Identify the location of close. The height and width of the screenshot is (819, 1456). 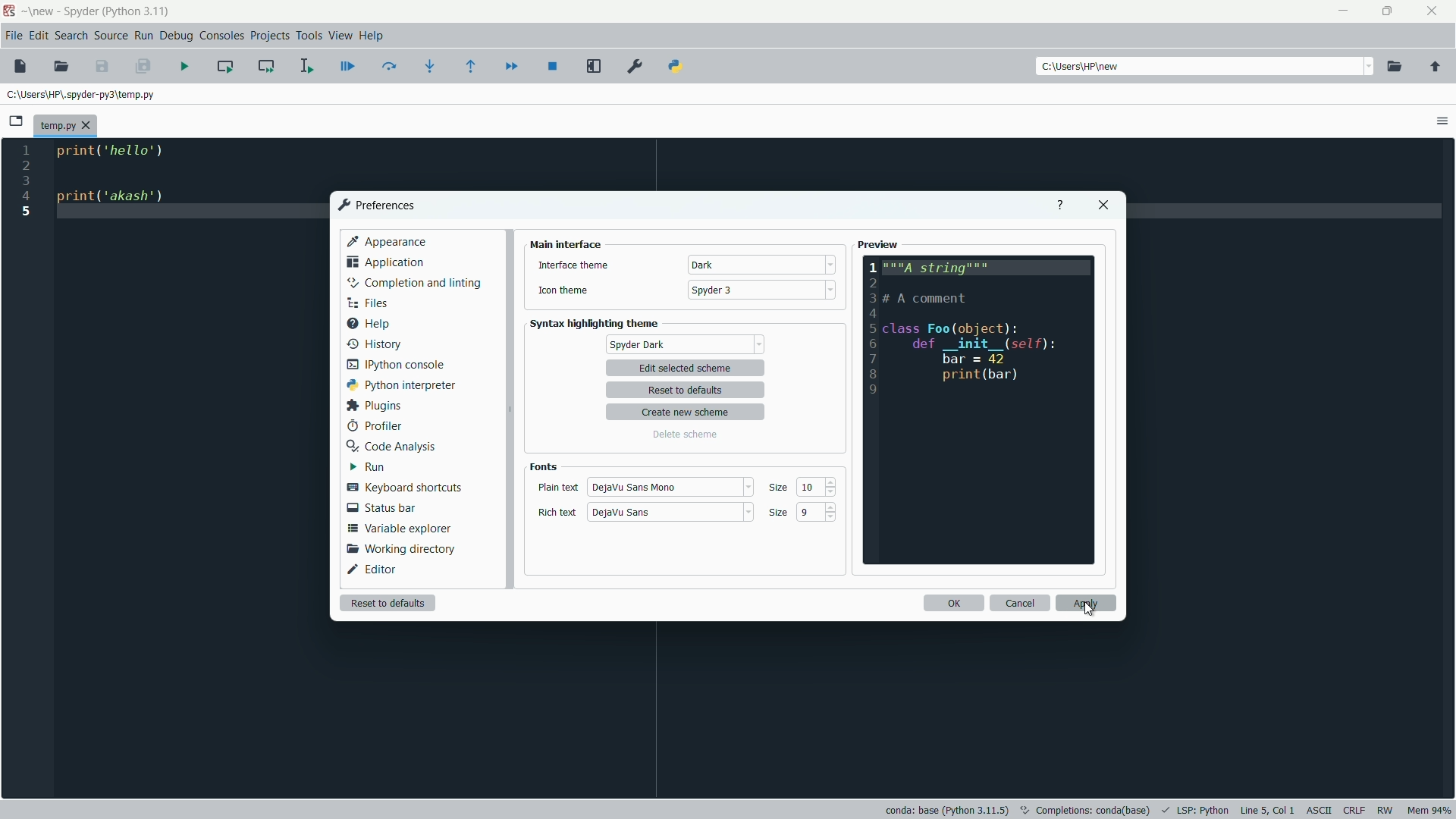
(1103, 206).